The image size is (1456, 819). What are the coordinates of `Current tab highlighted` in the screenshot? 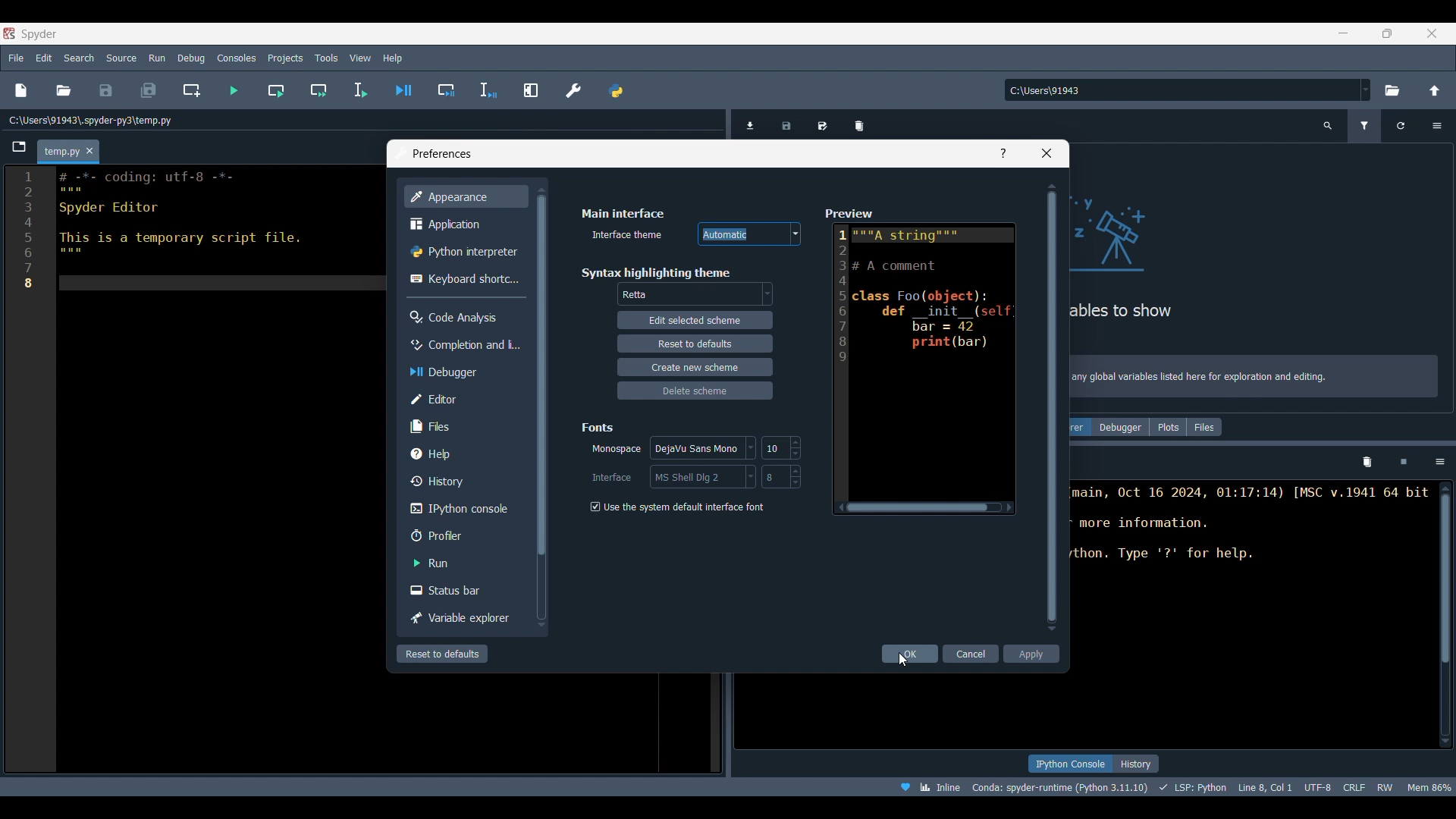 It's located at (61, 152).